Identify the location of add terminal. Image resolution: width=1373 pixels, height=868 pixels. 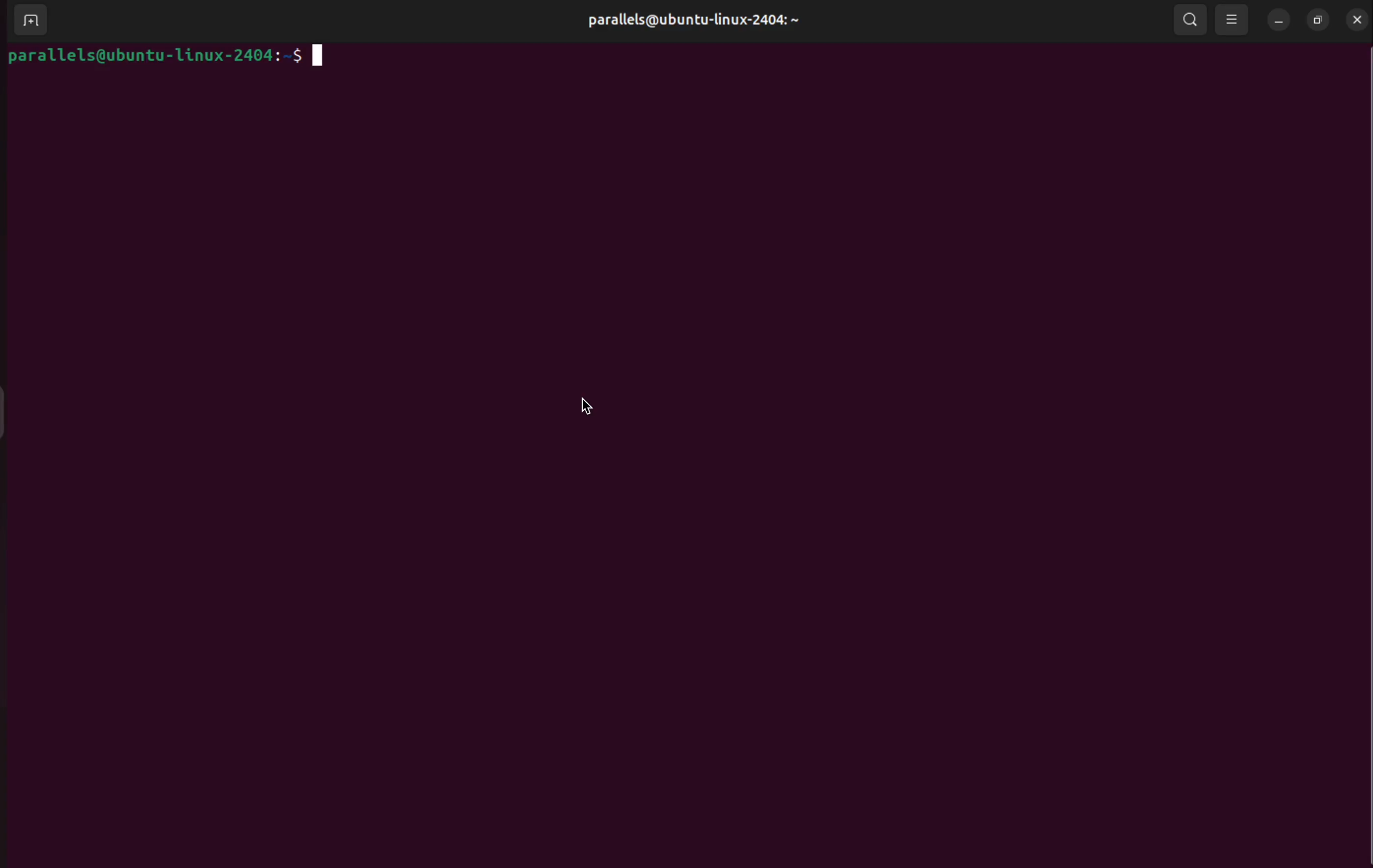
(31, 20).